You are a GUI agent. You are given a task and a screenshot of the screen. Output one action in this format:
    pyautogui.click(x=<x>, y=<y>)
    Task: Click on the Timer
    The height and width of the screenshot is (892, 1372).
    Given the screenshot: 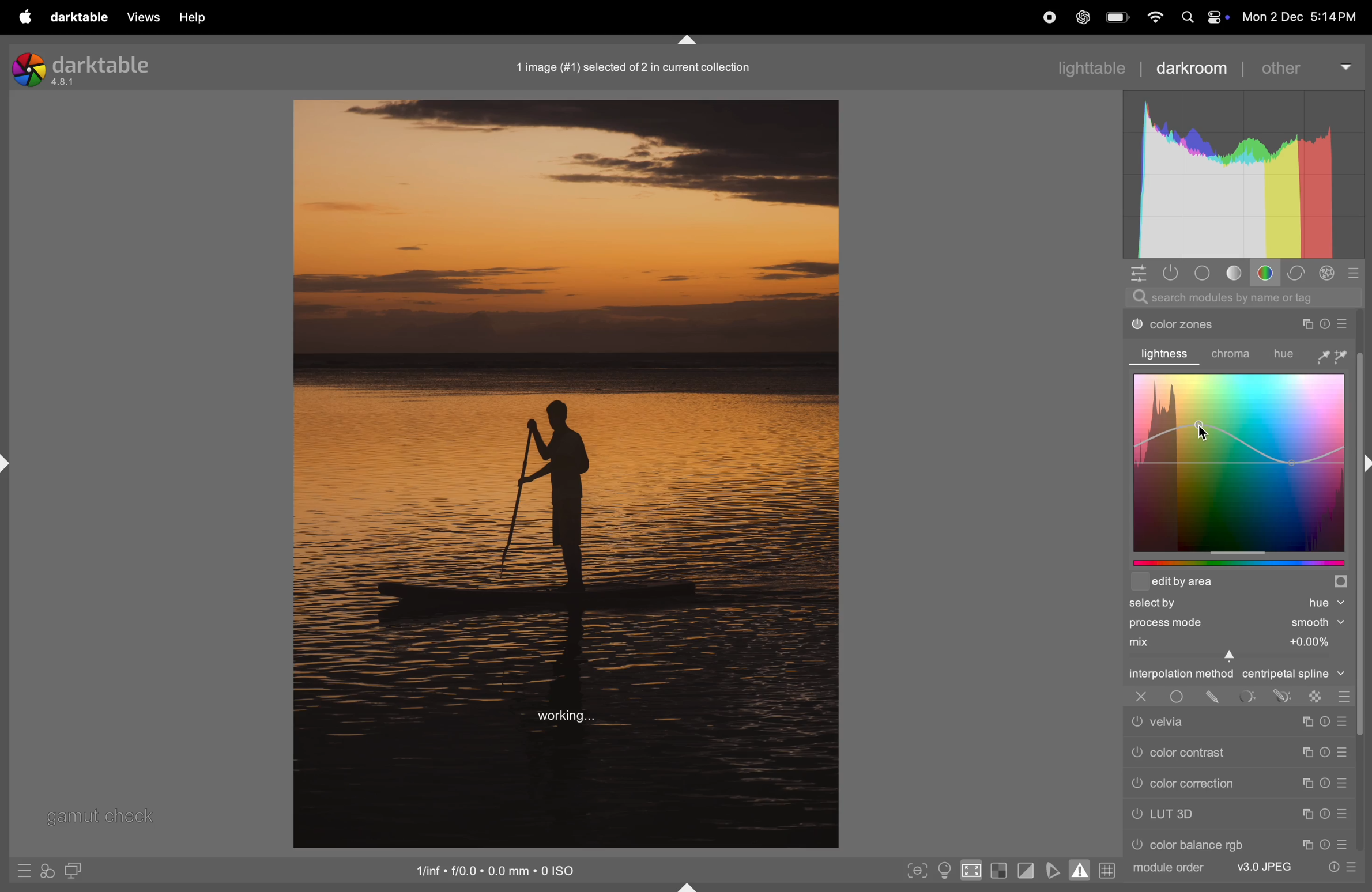 What is the action you would take?
    pyautogui.click(x=1322, y=324)
    